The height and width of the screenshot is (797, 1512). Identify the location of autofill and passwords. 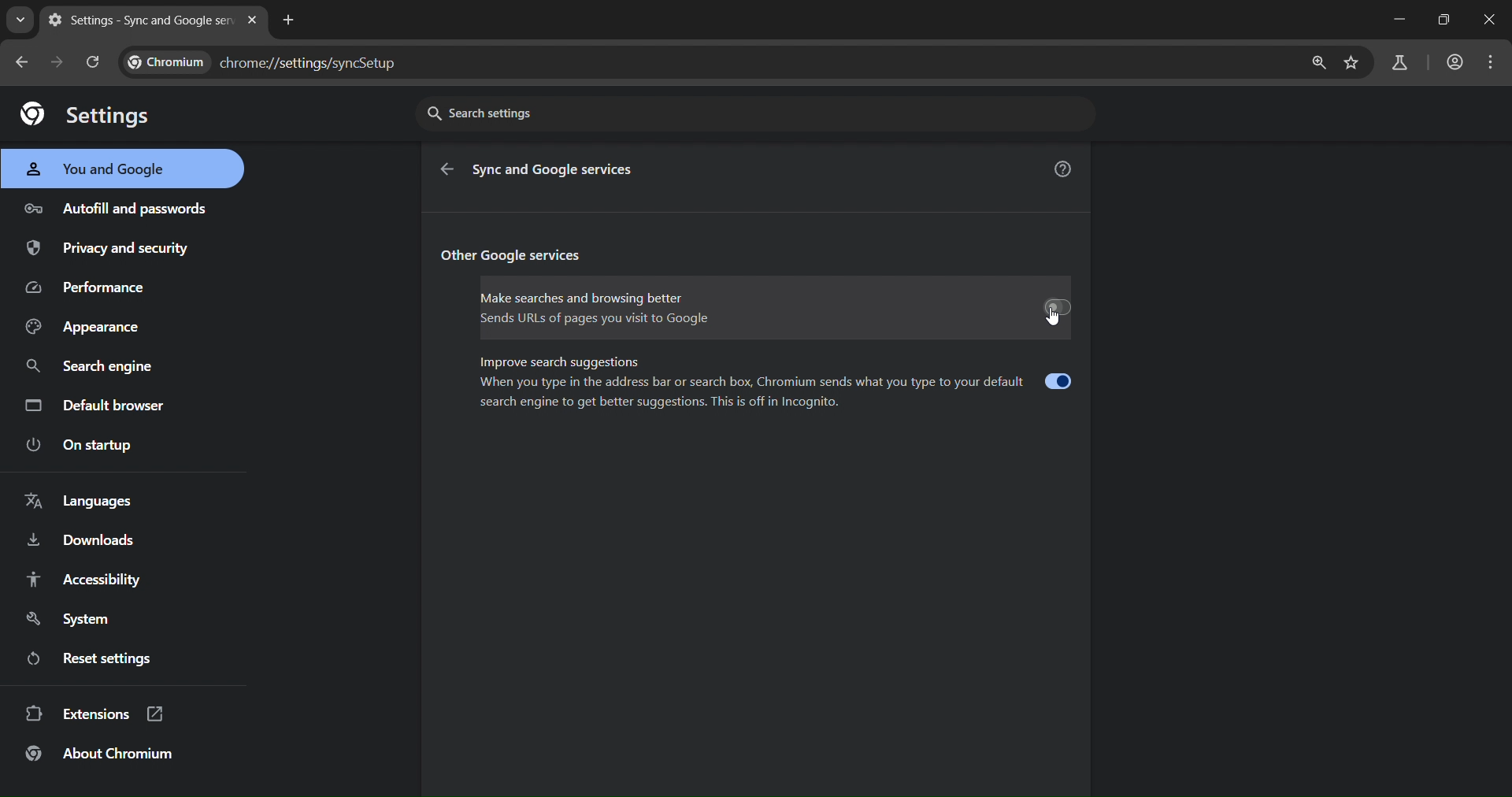
(119, 207).